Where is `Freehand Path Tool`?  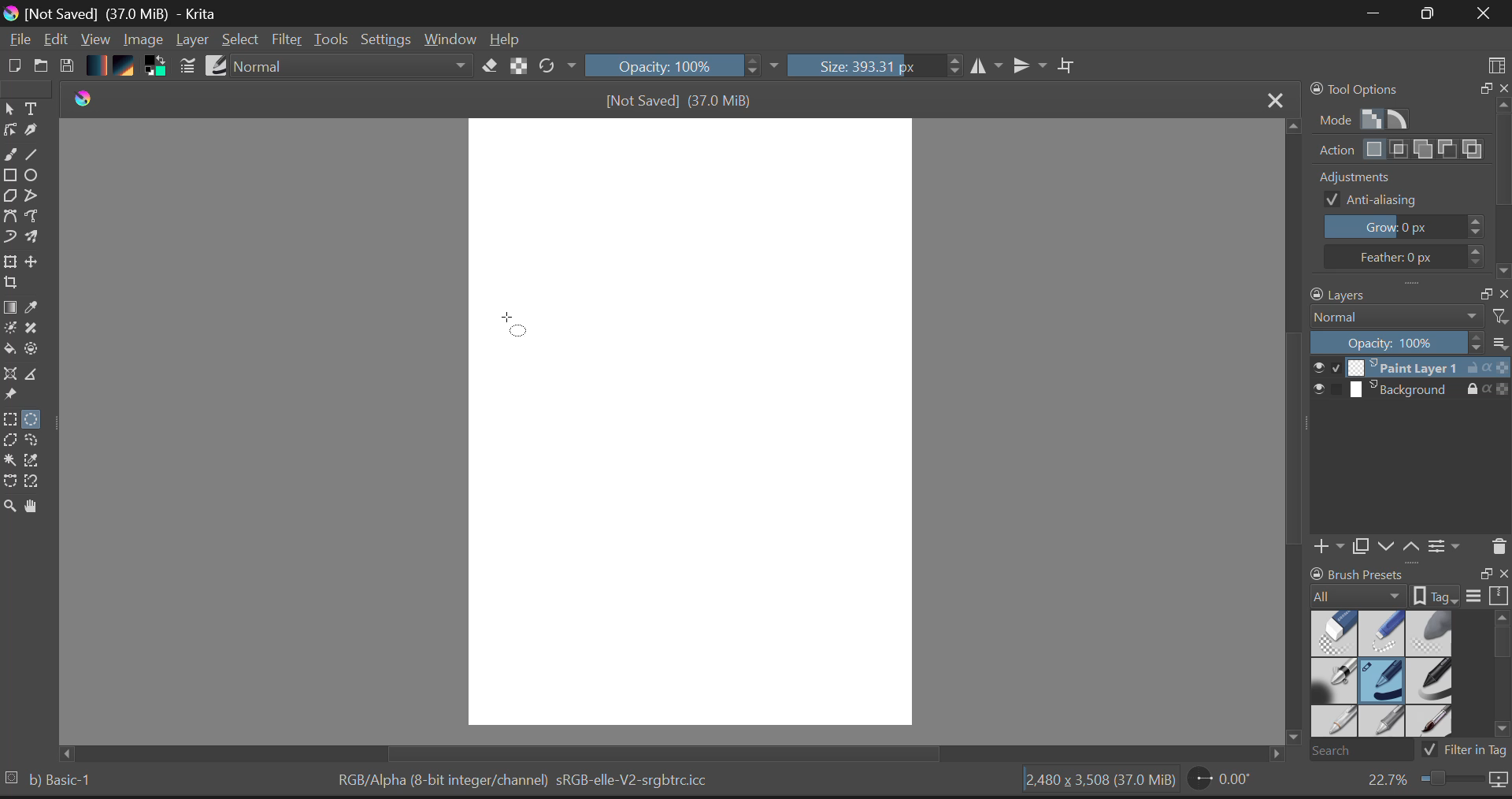 Freehand Path Tool is located at coordinates (36, 217).